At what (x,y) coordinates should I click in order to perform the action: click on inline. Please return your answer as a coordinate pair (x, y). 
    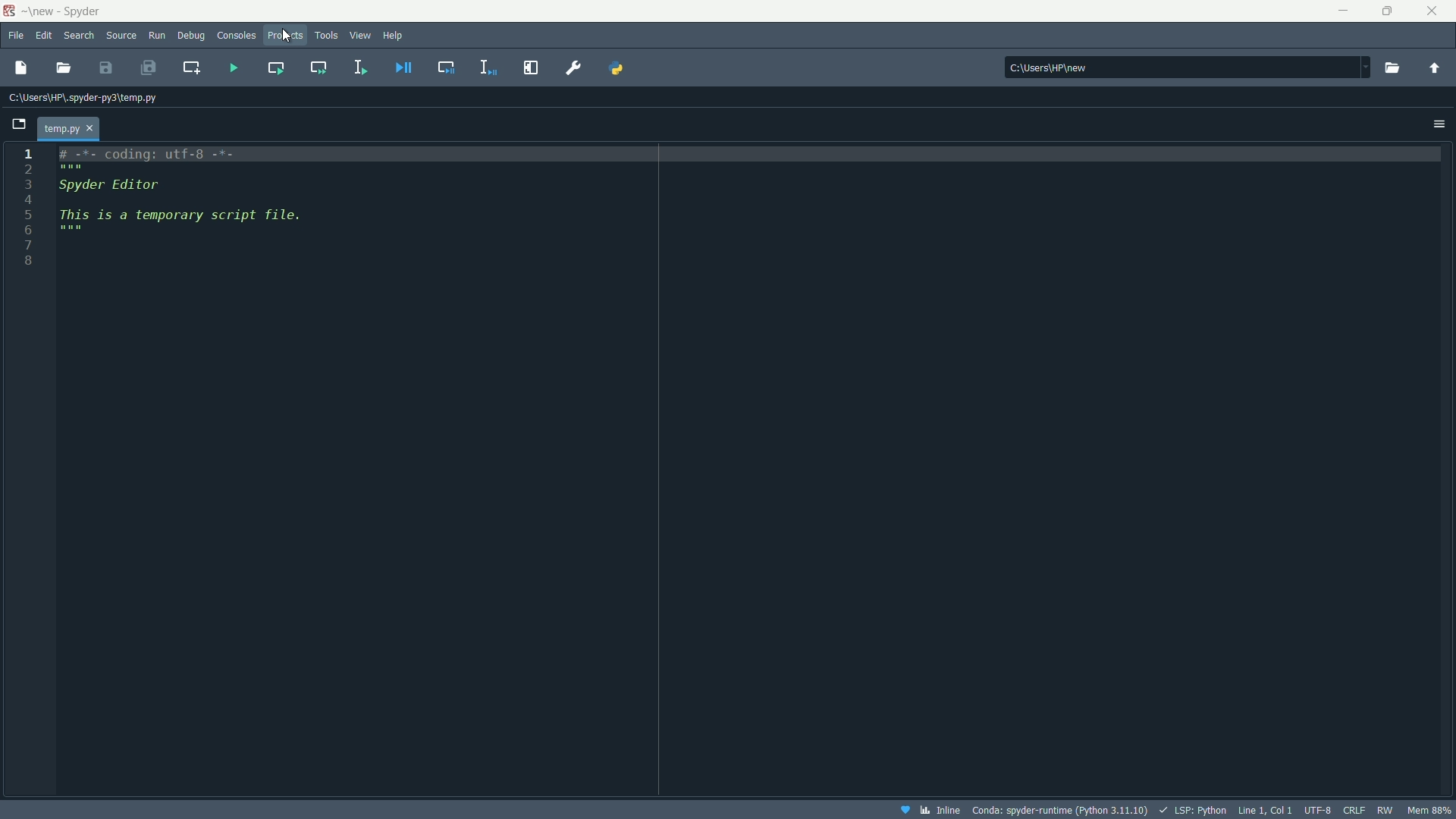
    Looking at the image, I should click on (927, 809).